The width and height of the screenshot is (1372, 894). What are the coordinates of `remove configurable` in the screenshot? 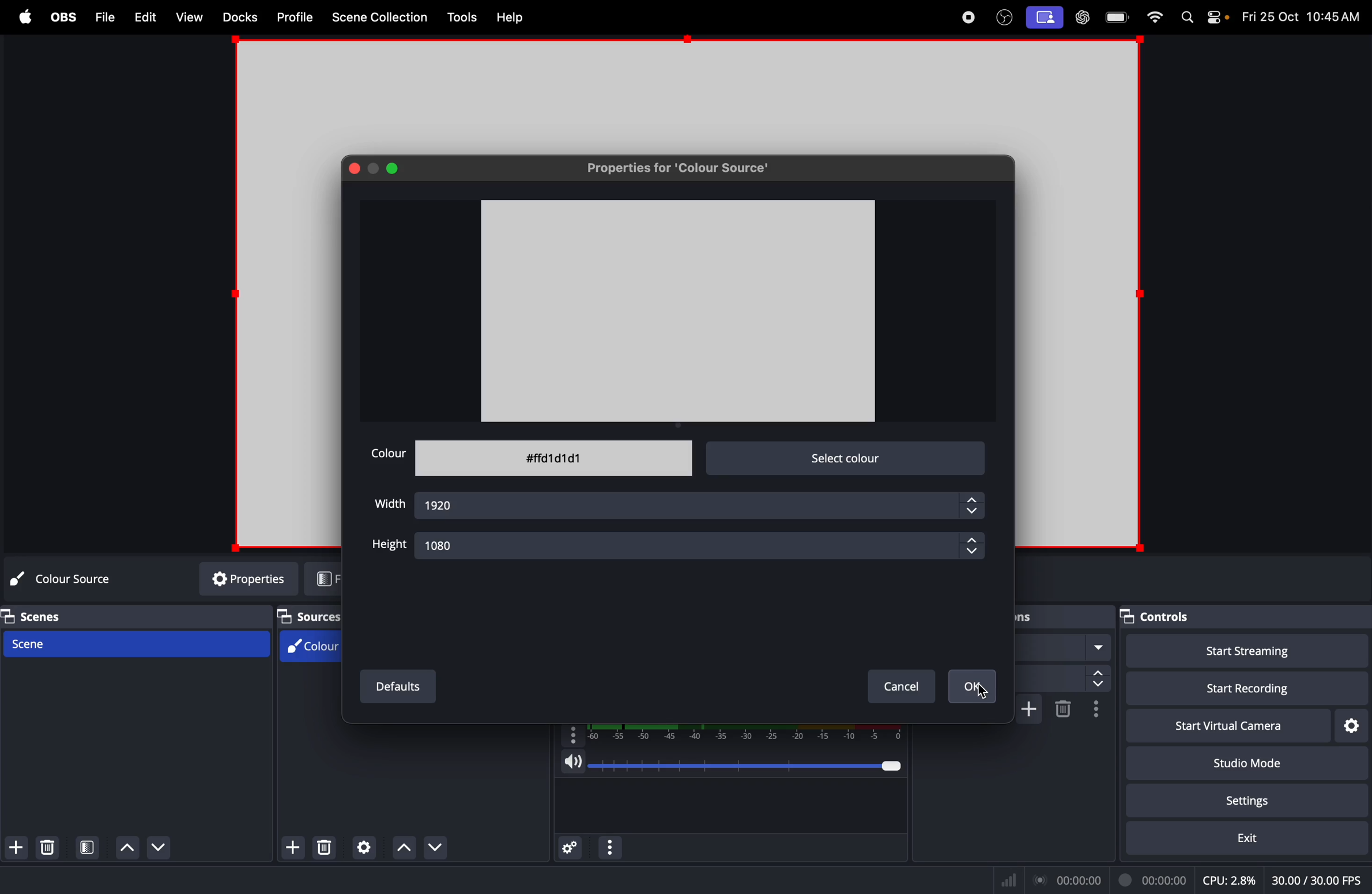 It's located at (1065, 709).